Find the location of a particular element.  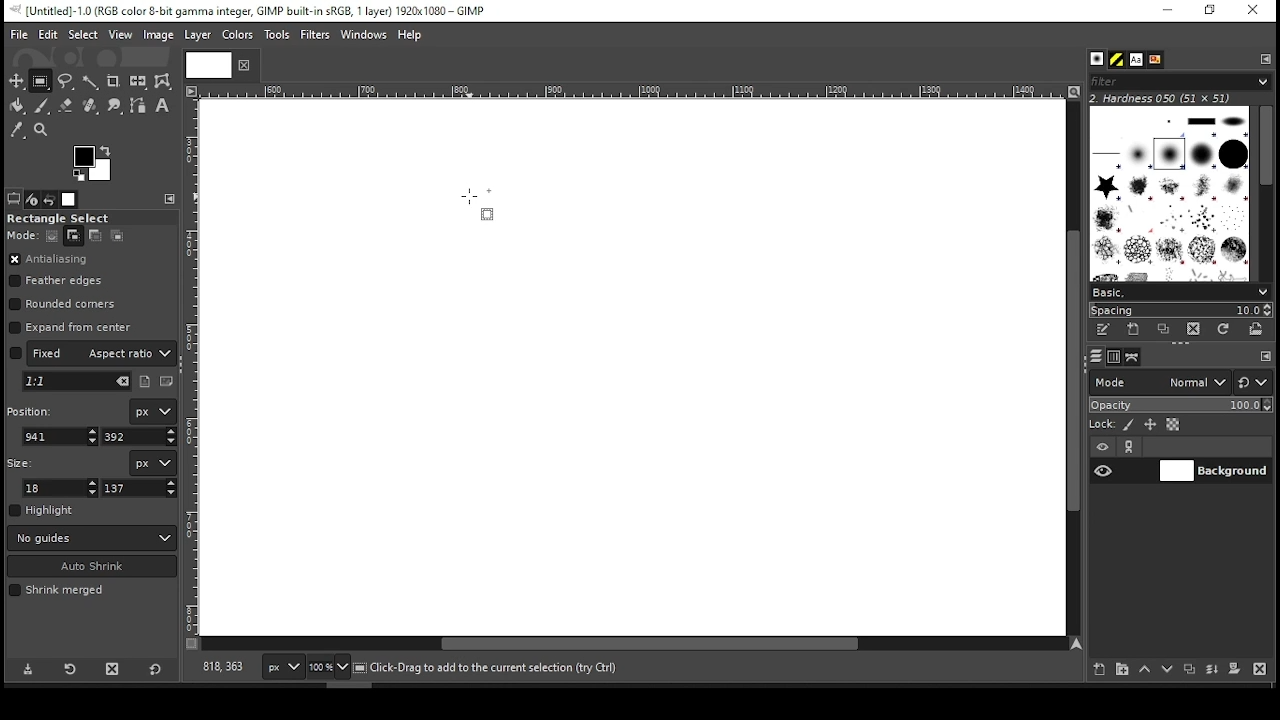

lock: is located at coordinates (1103, 426).